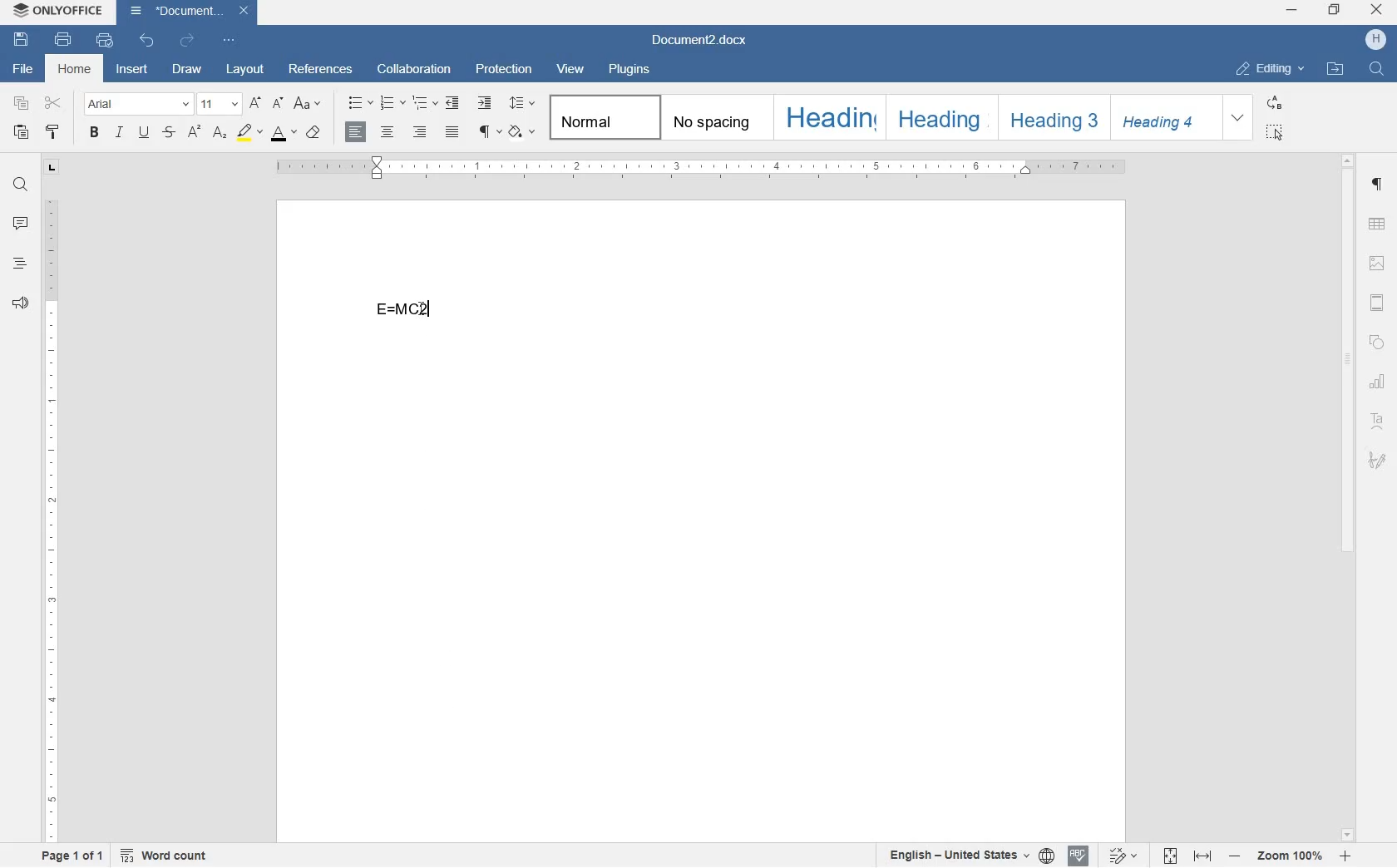  I want to click on cut, so click(55, 101).